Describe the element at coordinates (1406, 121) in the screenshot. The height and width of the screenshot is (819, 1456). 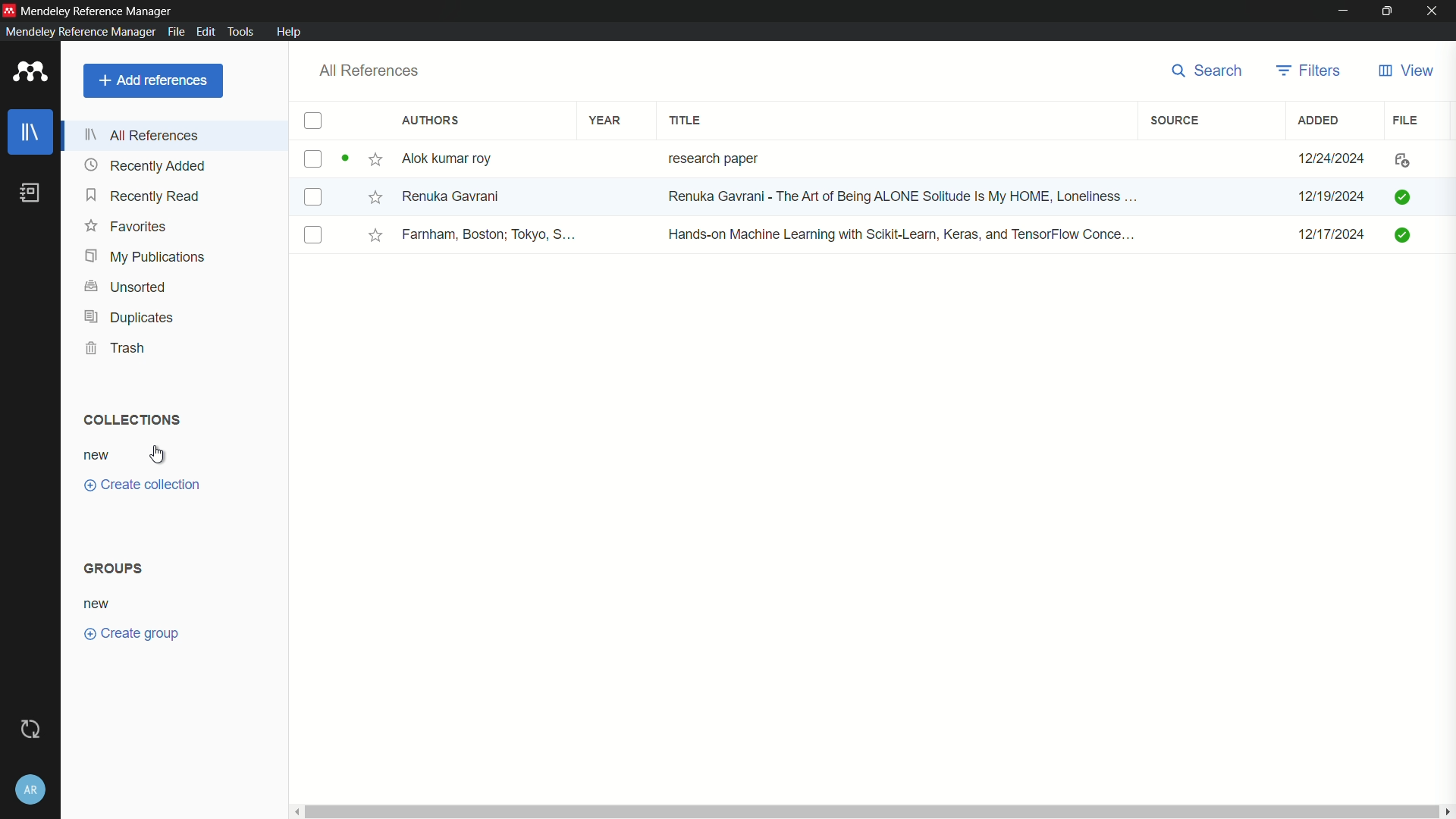
I see `file` at that location.